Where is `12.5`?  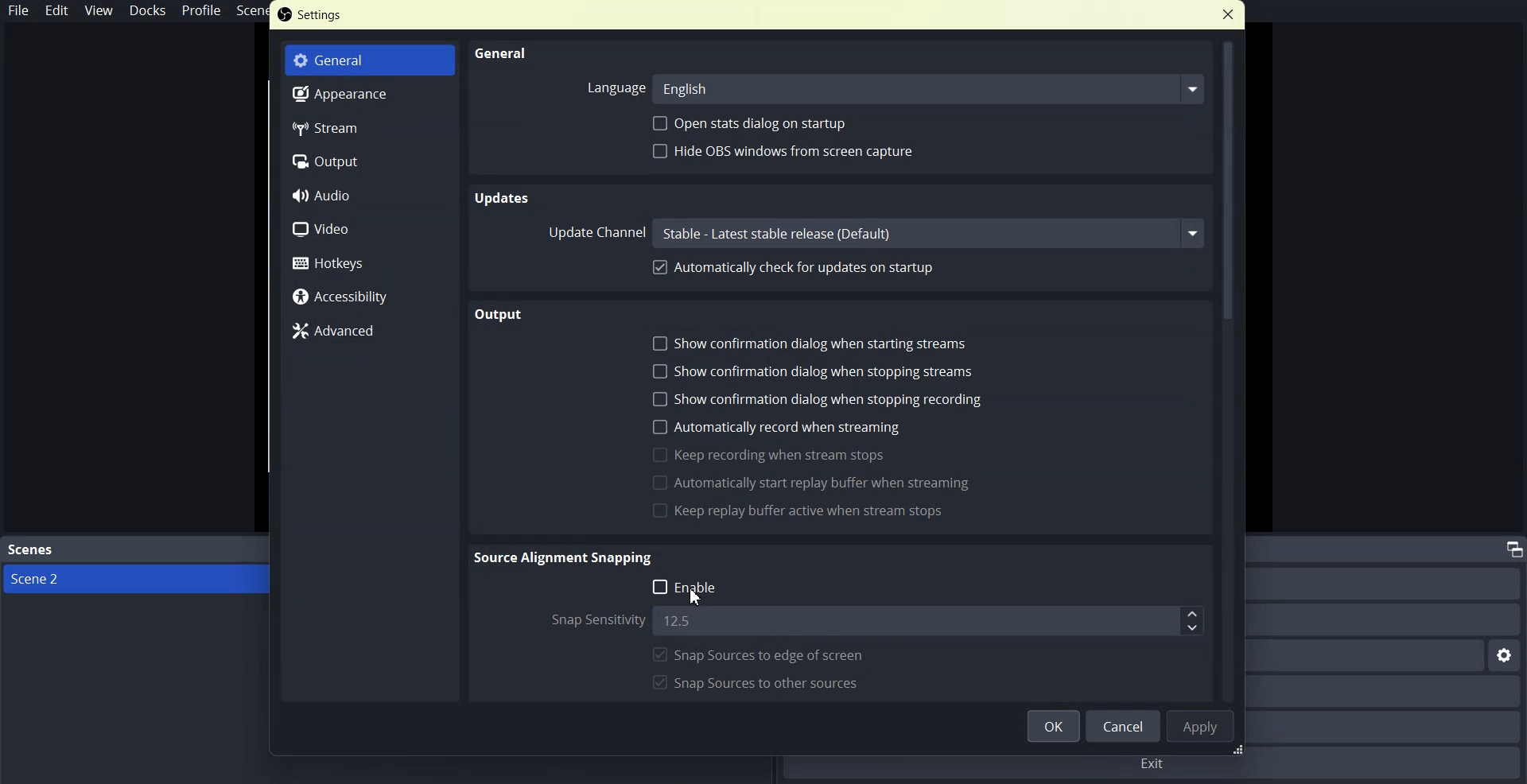
12.5 is located at coordinates (926, 619).